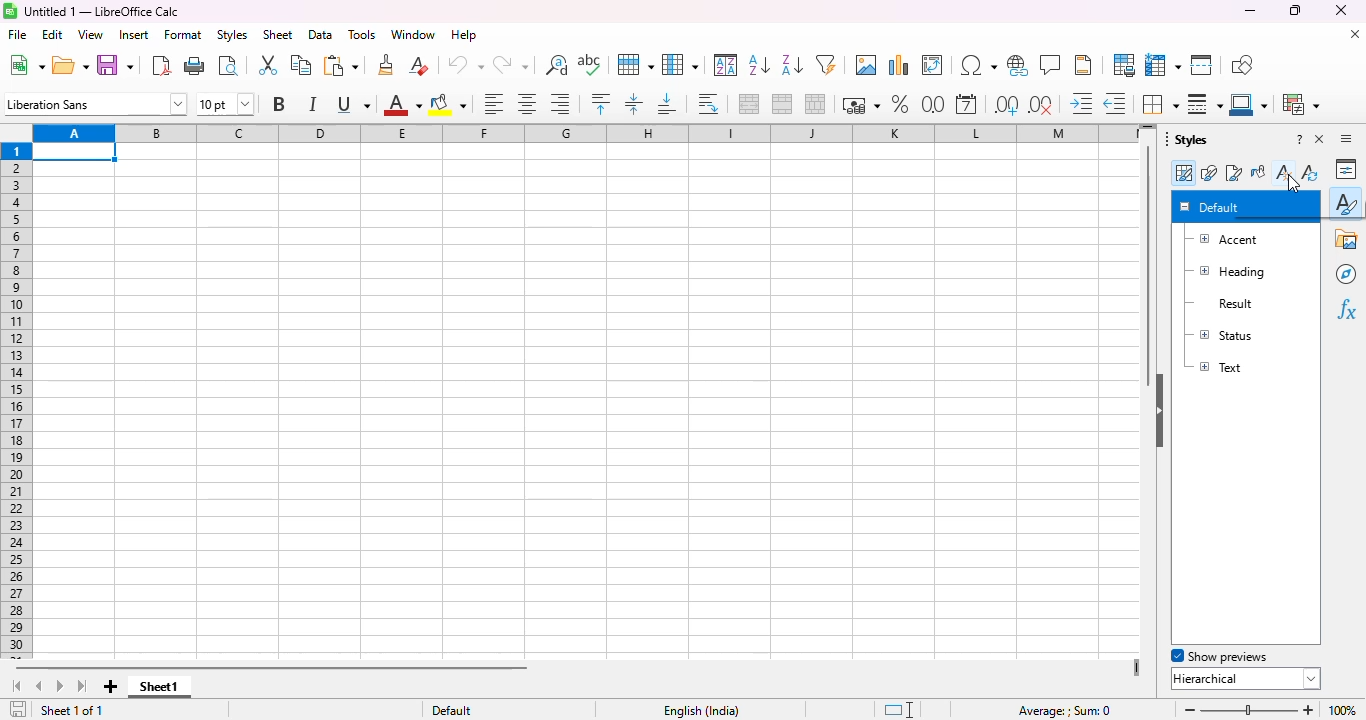  What do you see at coordinates (750, 104) in the screenshot?
I see `merge and center or unmerge cells depending on the current toggle state` at bounding box center [750, 104].